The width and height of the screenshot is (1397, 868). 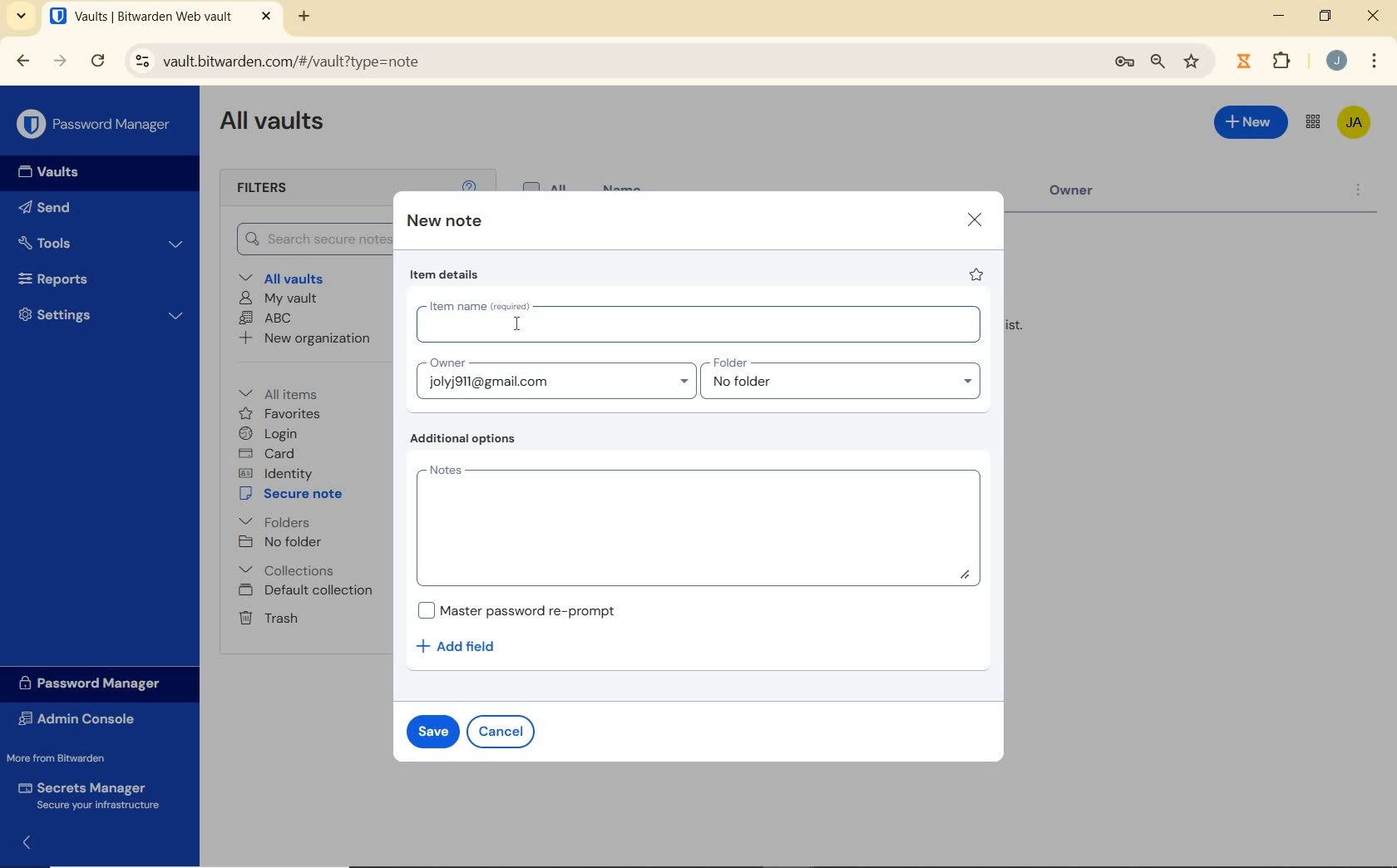 What do you see at coordinates (60, 61) in the screenshot?
I see `forward` at bounding box center [60, 61].